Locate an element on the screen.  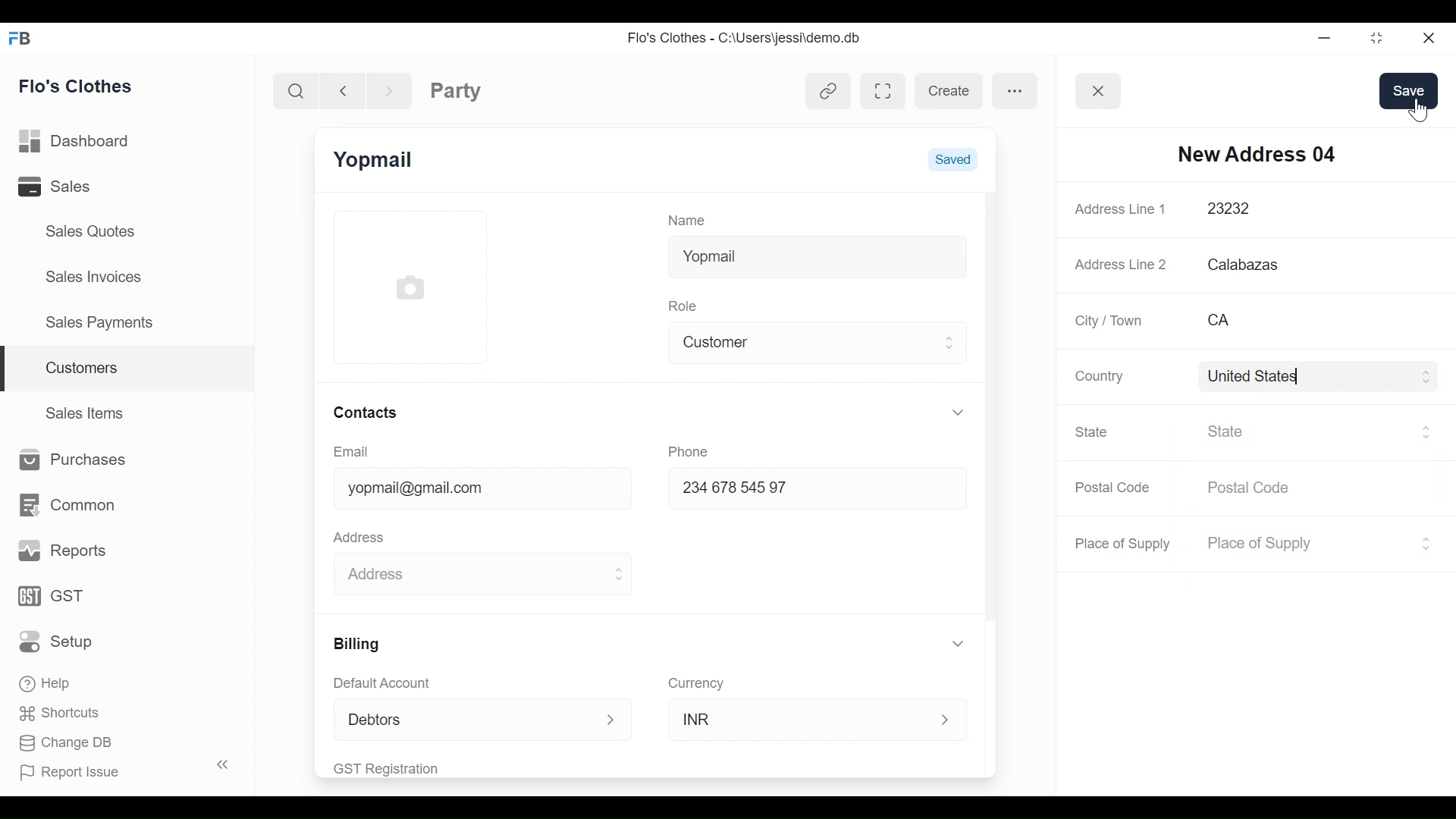
Name is located at coordinates (690, 219).